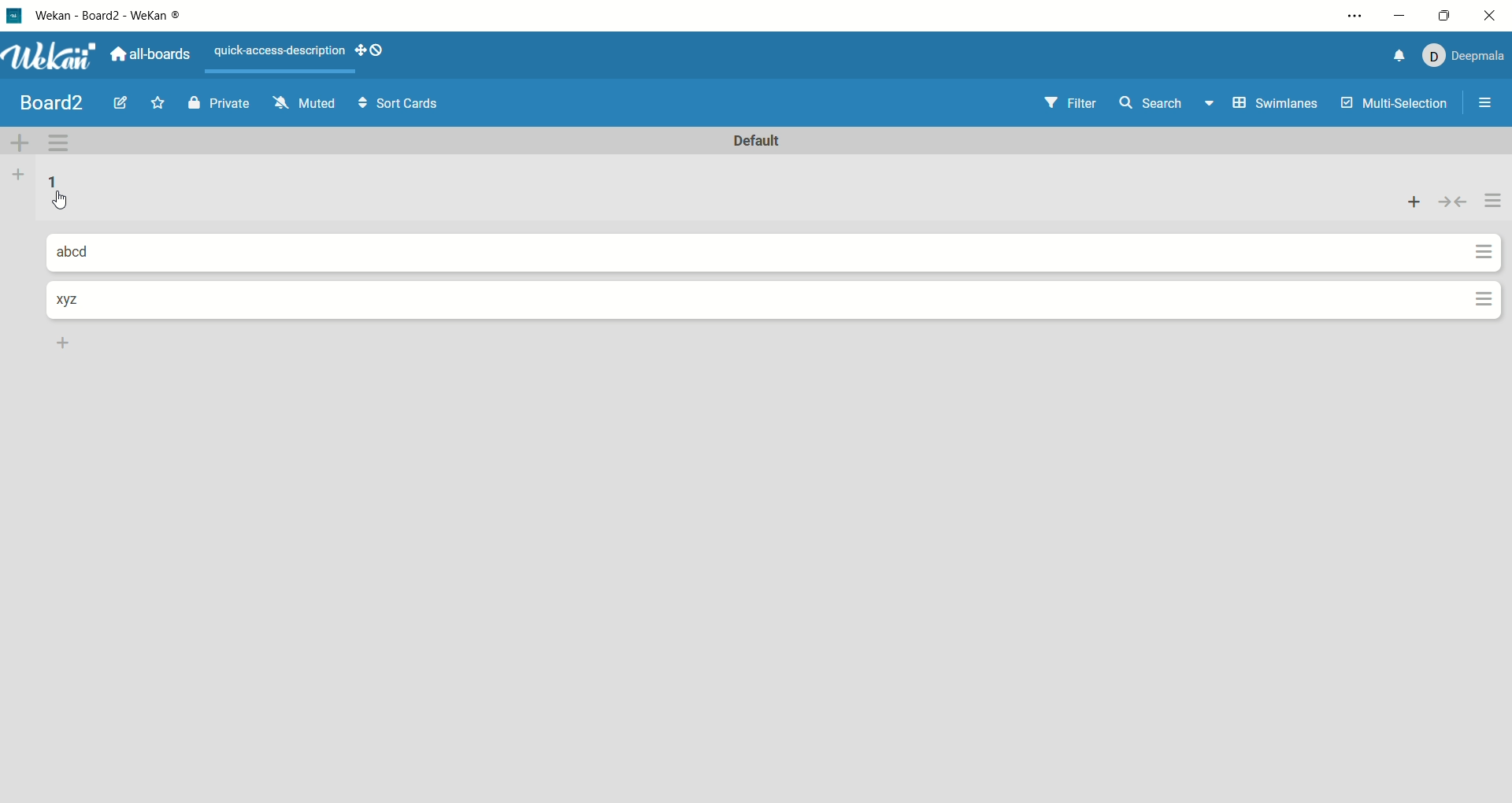 Image resolution: width=1512 pixels, height=803 pixels. I want to click on text, so click(277, 54).